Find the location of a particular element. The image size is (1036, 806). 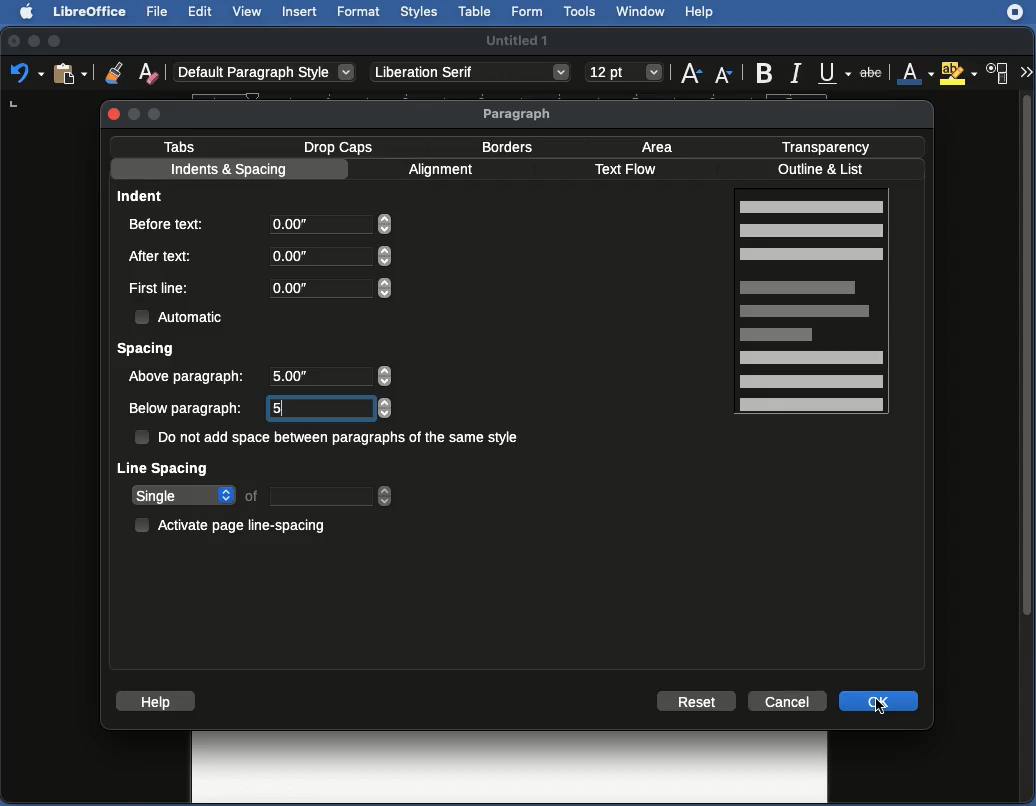

Tools is located at coordinates (581, 12).